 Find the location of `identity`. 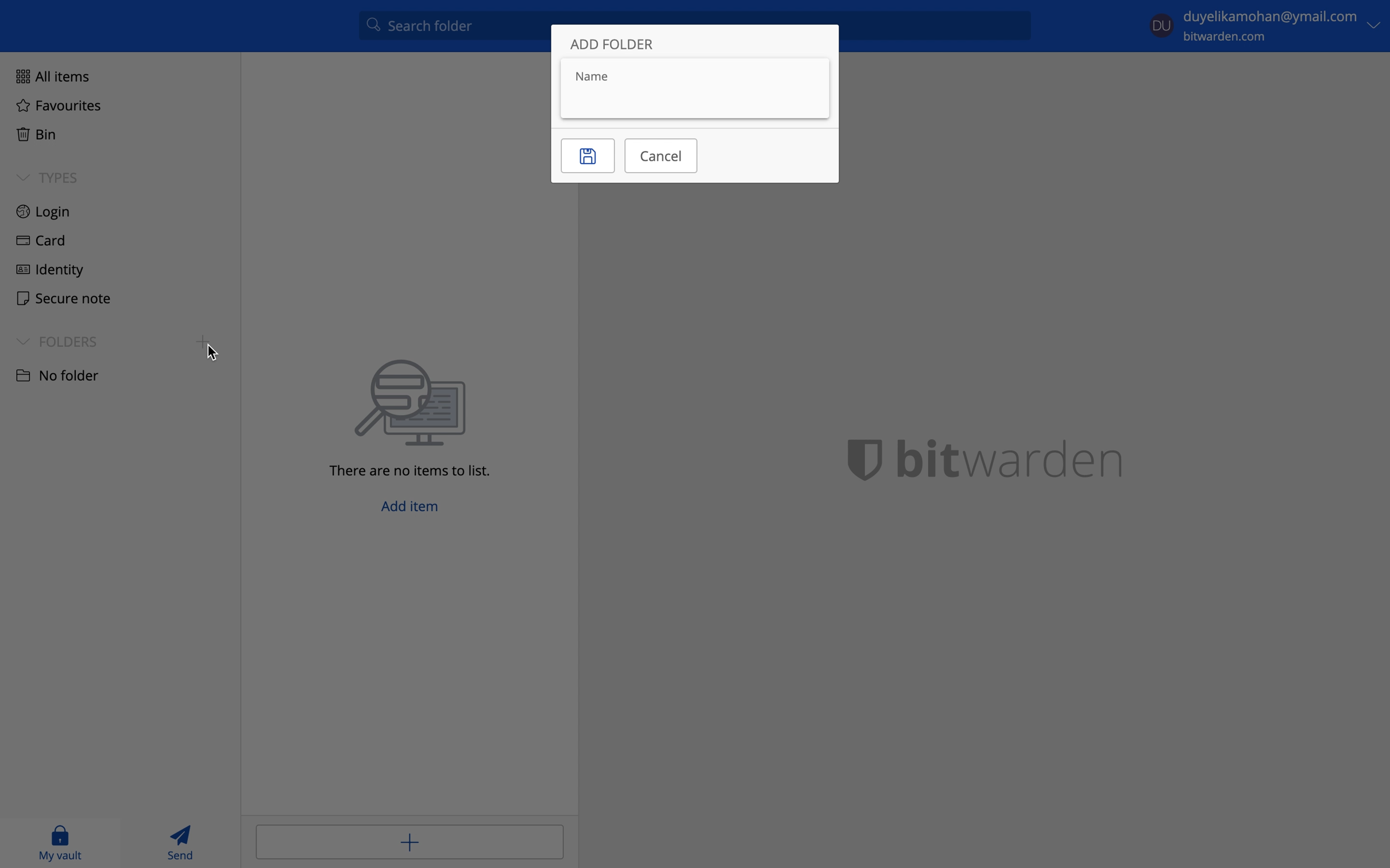

identity is located at coordinates (50, 268).